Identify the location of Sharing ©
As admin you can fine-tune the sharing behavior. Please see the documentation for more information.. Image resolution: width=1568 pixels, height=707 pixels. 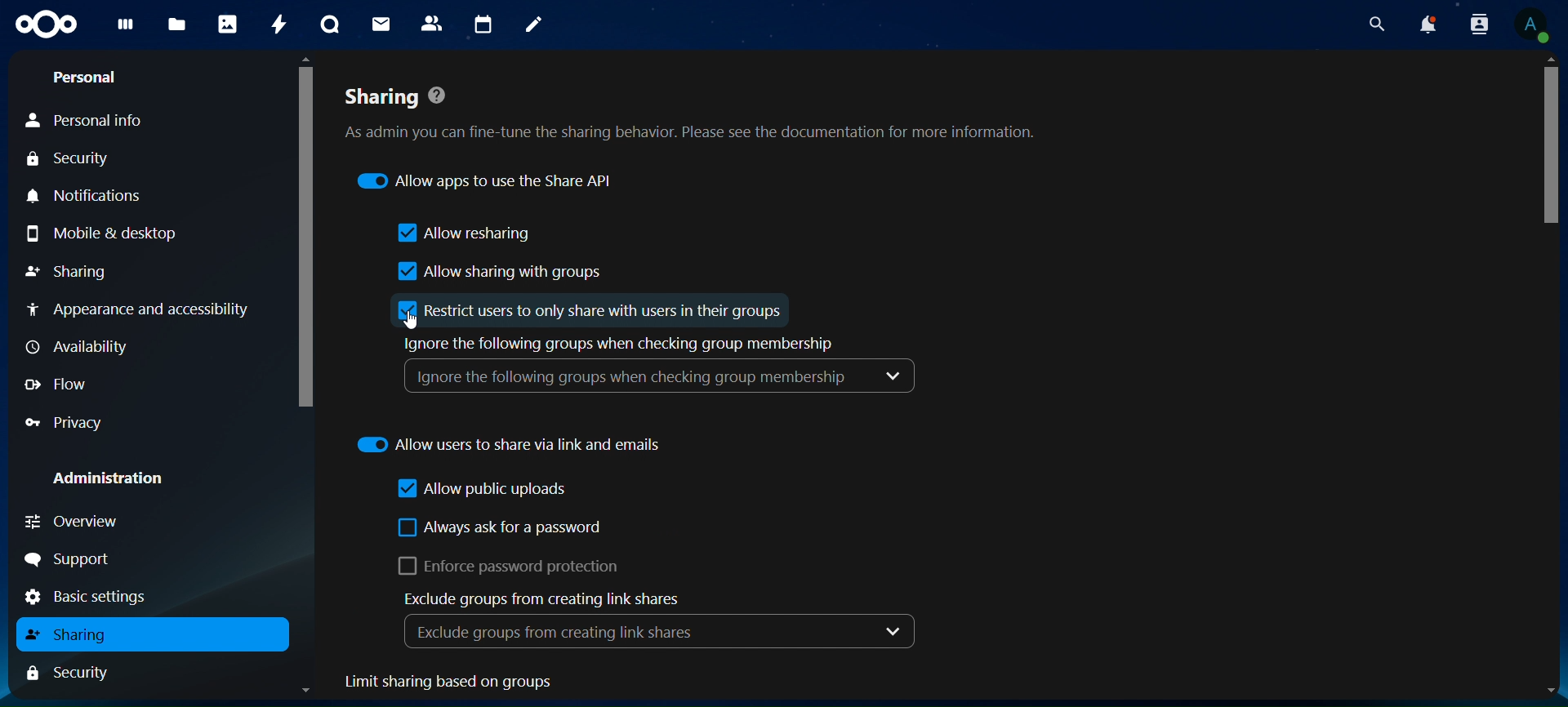
(705, 105).